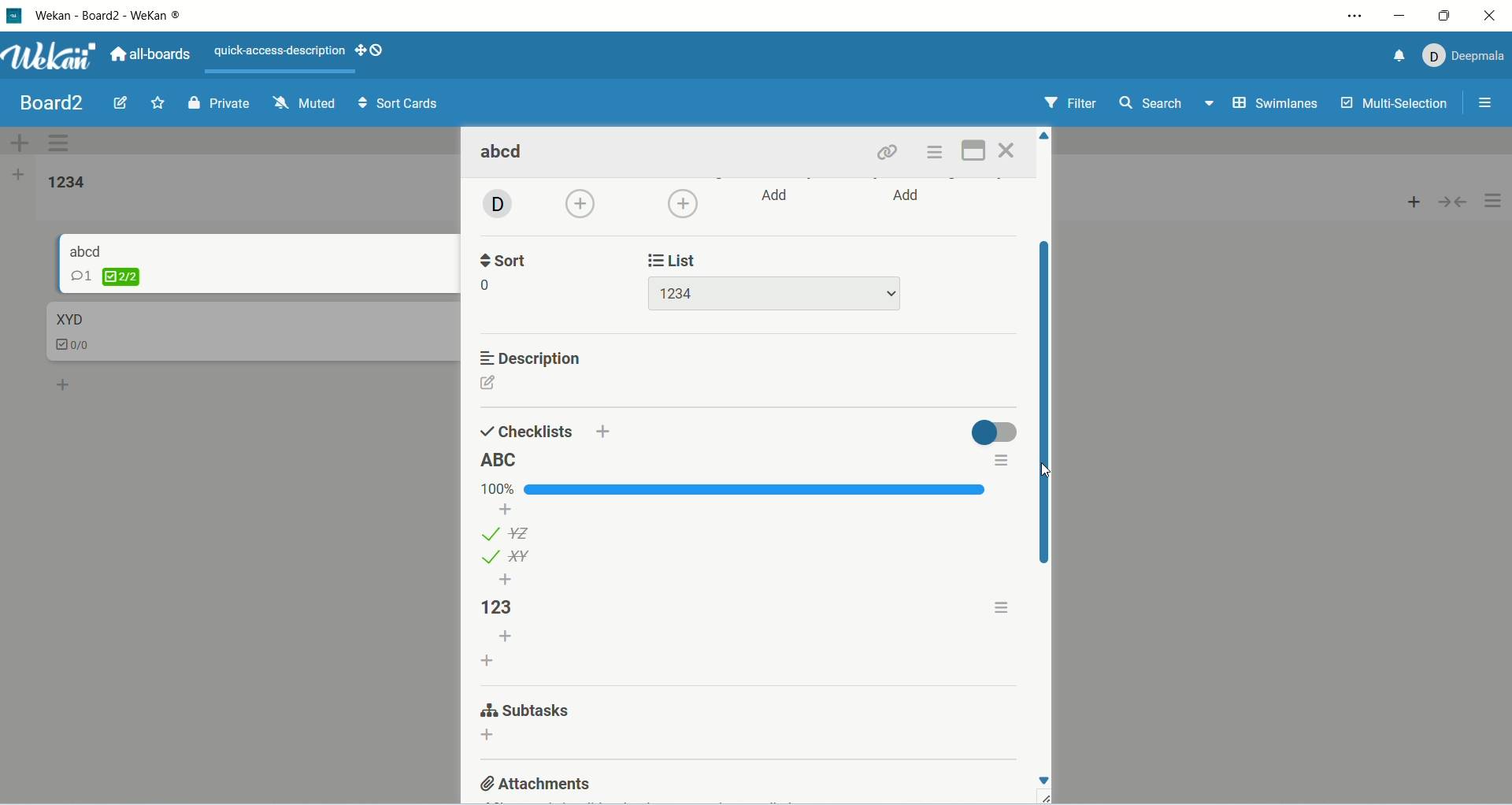 The width and height of the screenshot is (1512, 805). Describe the element at coordinates (53, 58) in the screenshot. I see `wekan` at that location.